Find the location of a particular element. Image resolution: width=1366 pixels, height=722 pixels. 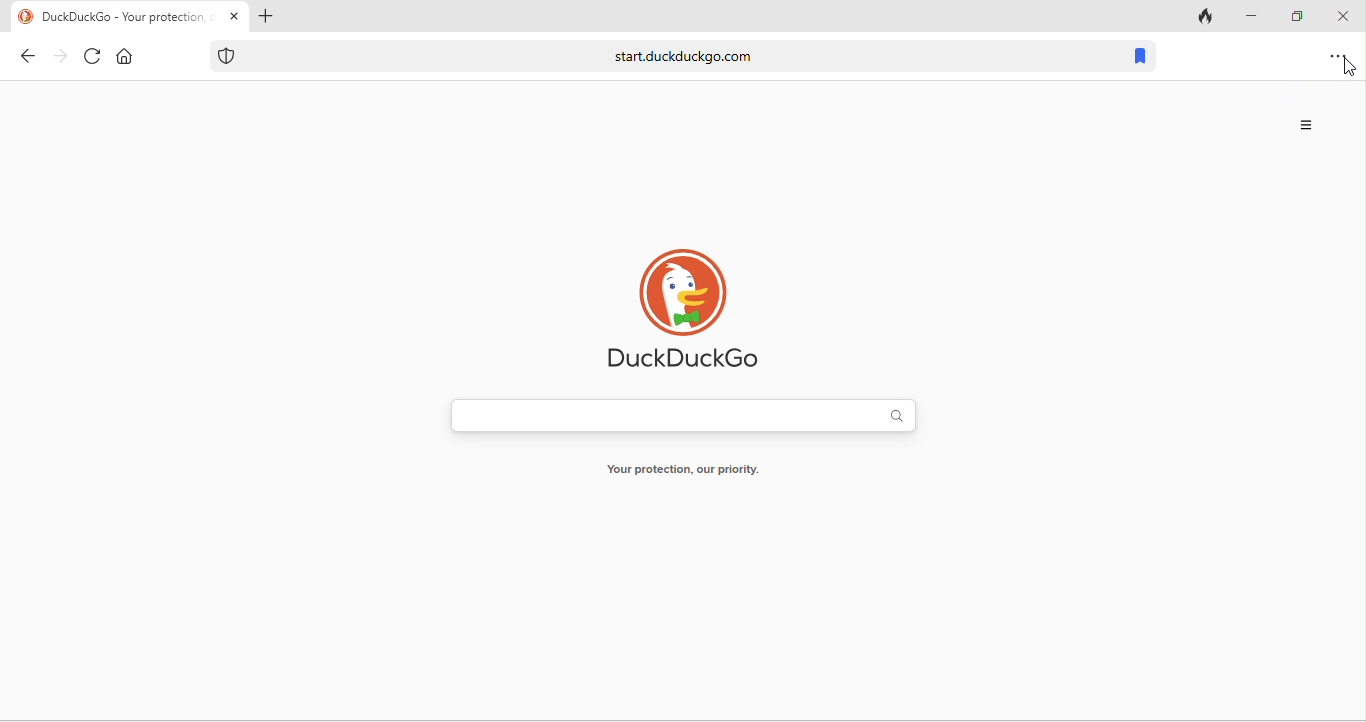

home is located at coordinates (127, 56).